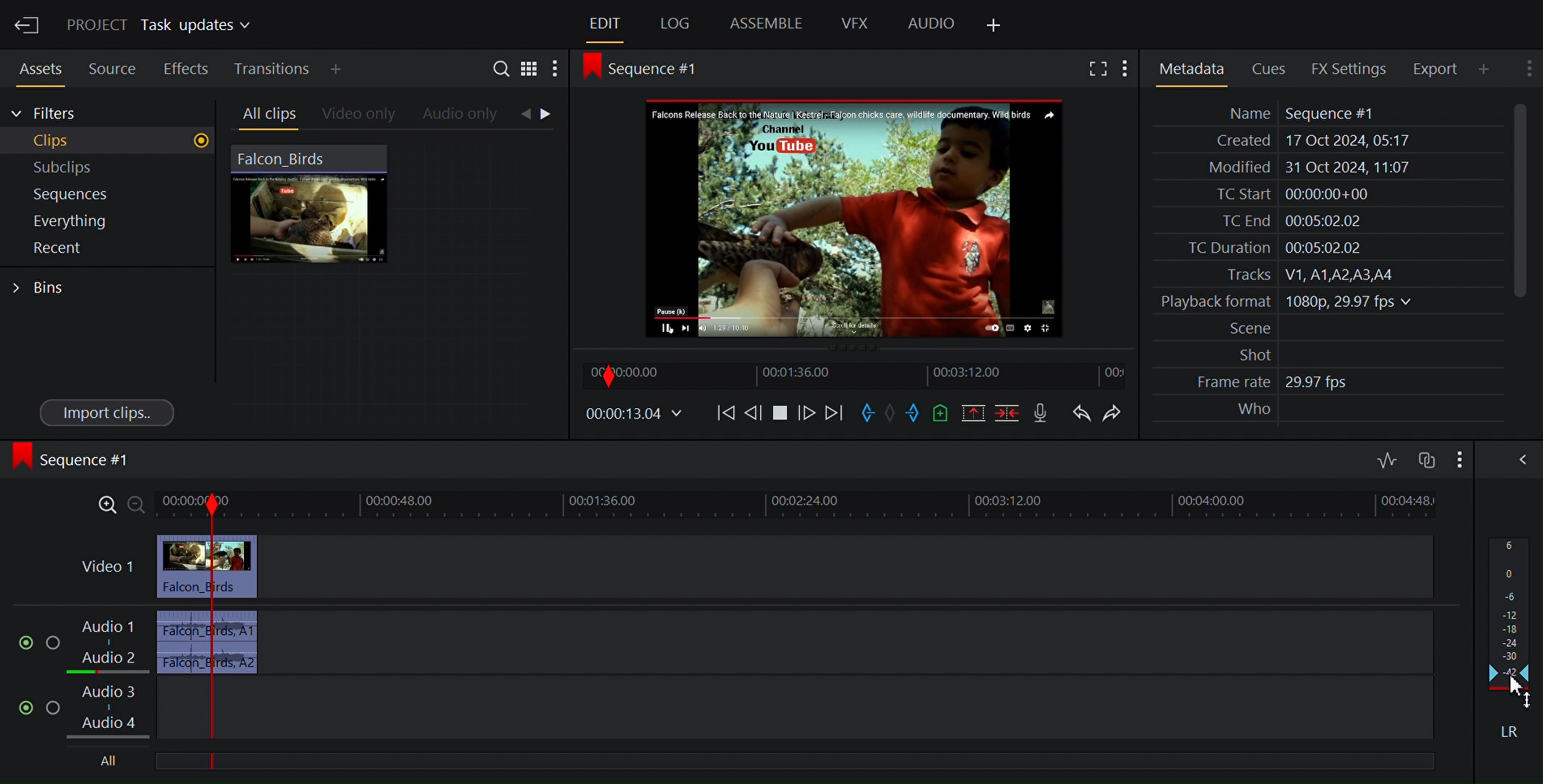 The height and width of the screenshot is (784, 1543). I want to click on Play, so click(780, 414).